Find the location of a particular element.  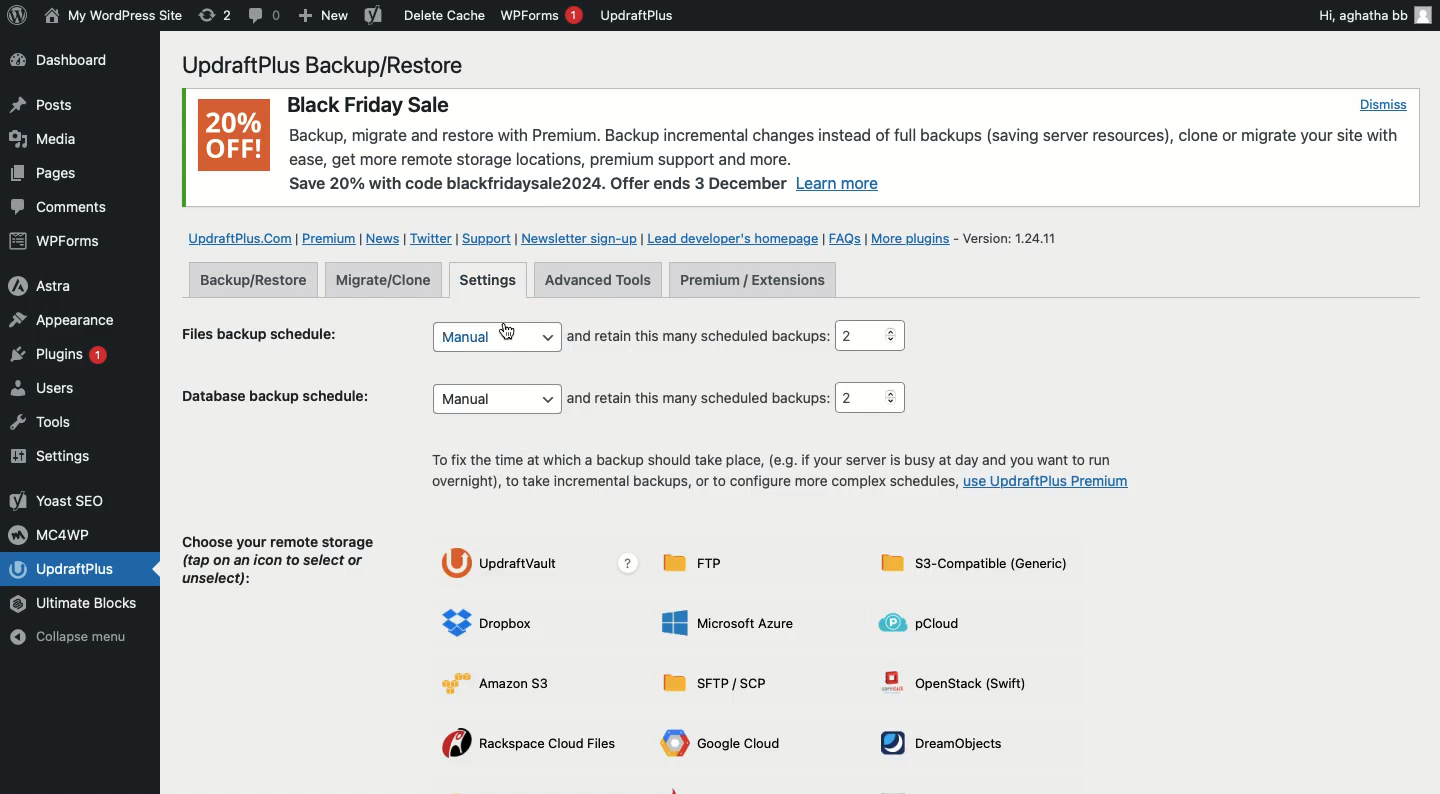

Choose your remote storage
(tap on an icon to select or
unselect): is located at coordinates (280, 565).